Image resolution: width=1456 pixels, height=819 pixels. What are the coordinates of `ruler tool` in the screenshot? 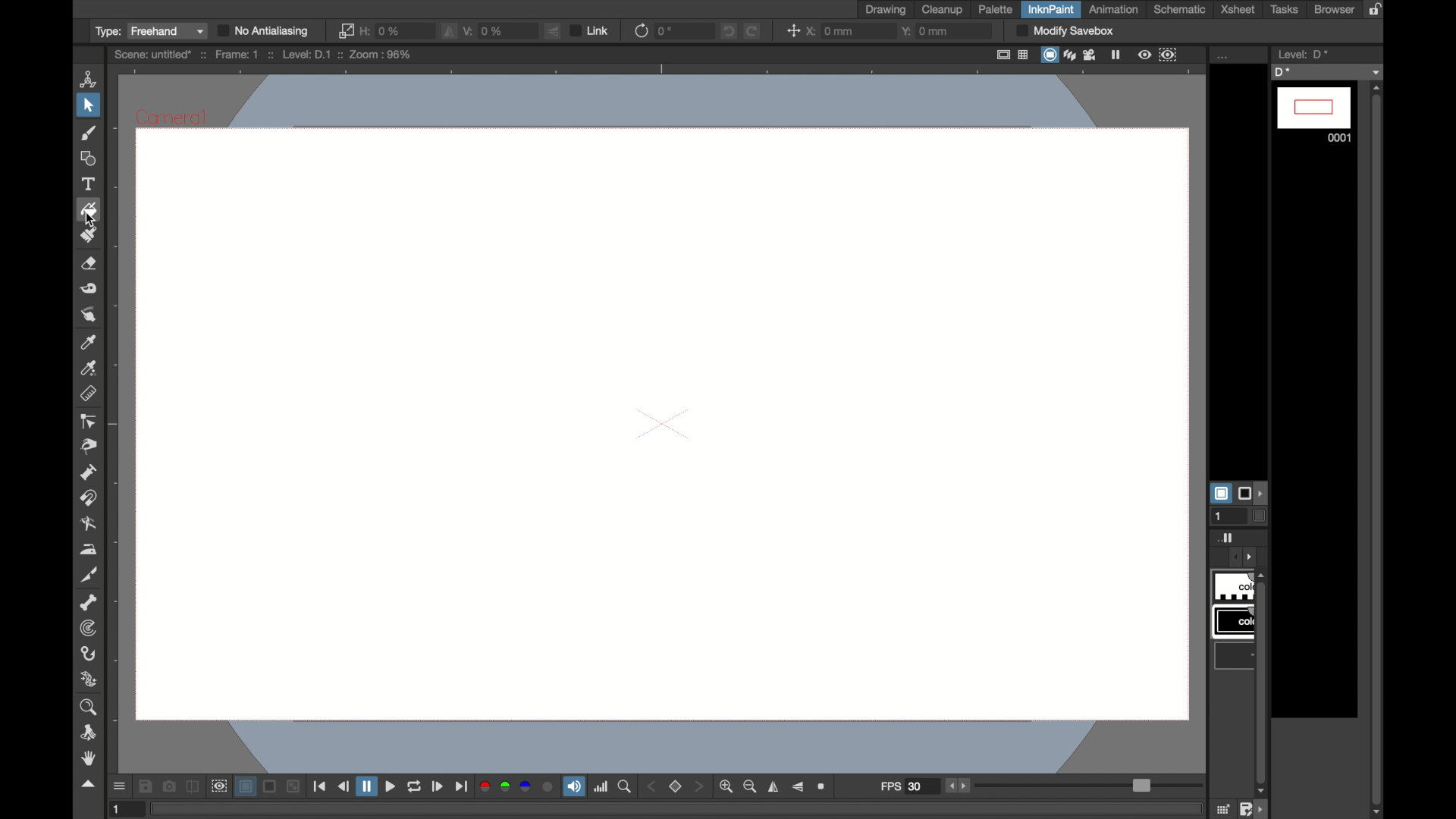 It's located at (87, 394).